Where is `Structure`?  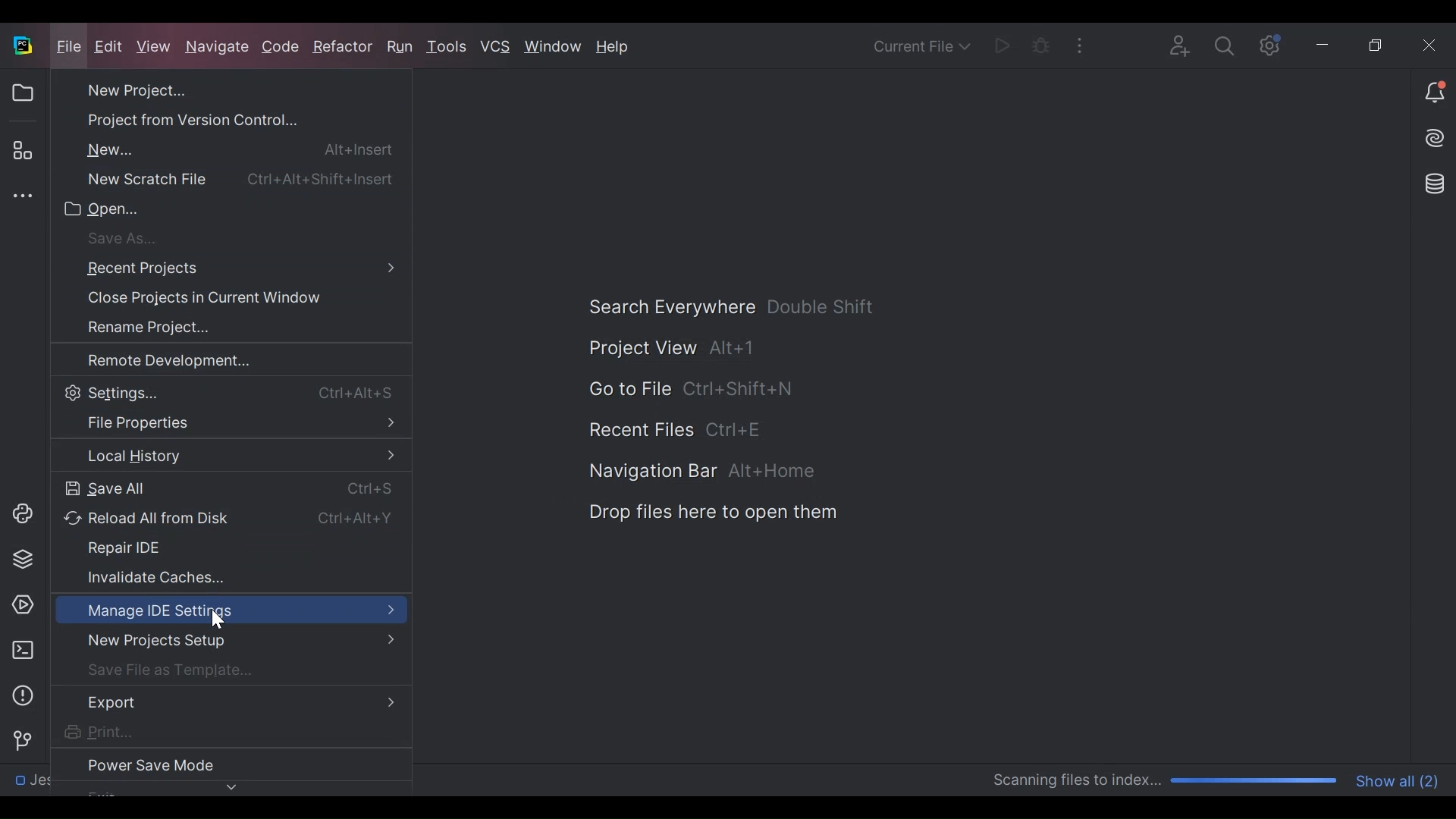
Structure is located at coordinates (21, 151).